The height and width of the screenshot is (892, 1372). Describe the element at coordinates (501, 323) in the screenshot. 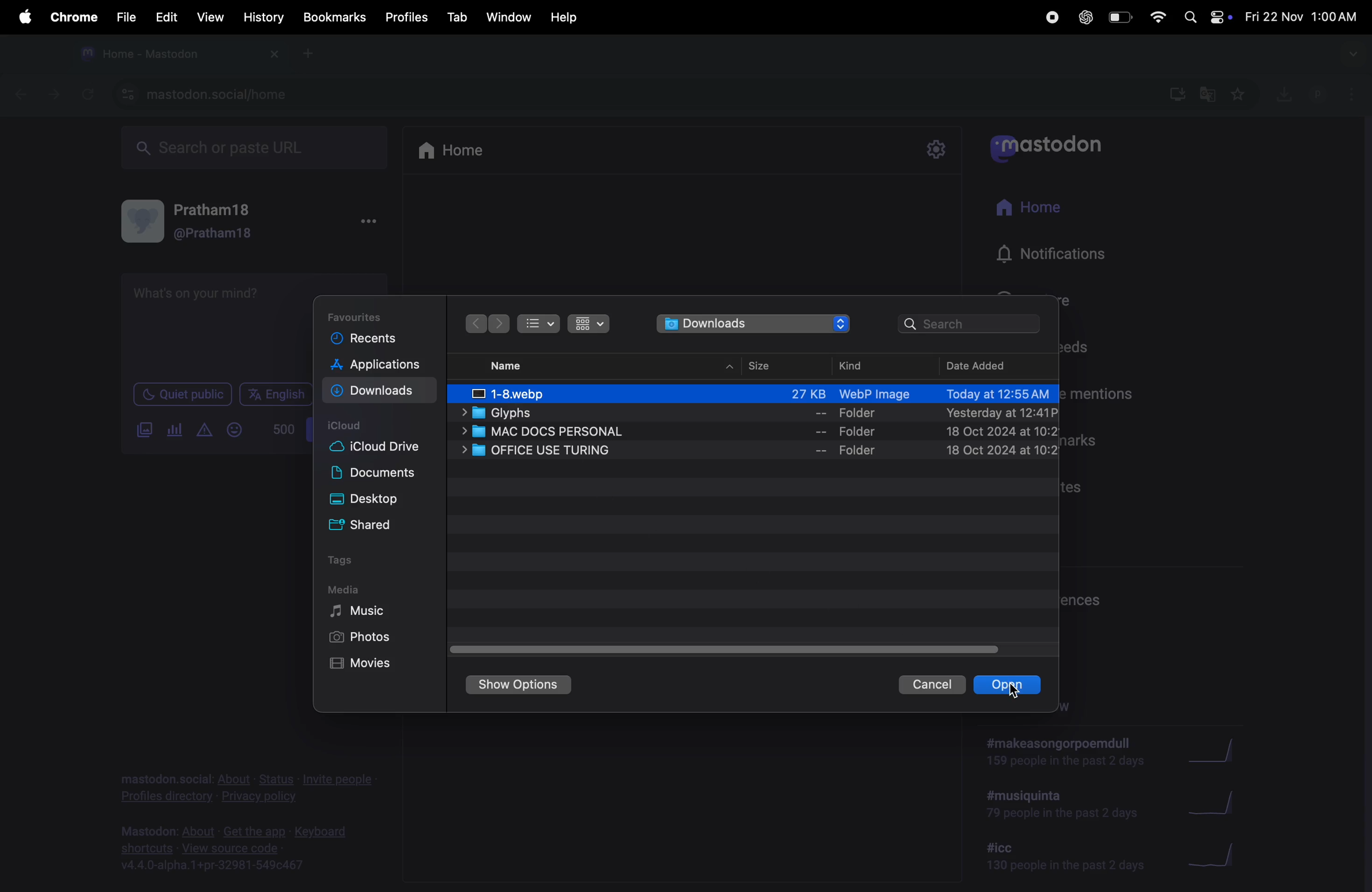

I see `backward` at that location.